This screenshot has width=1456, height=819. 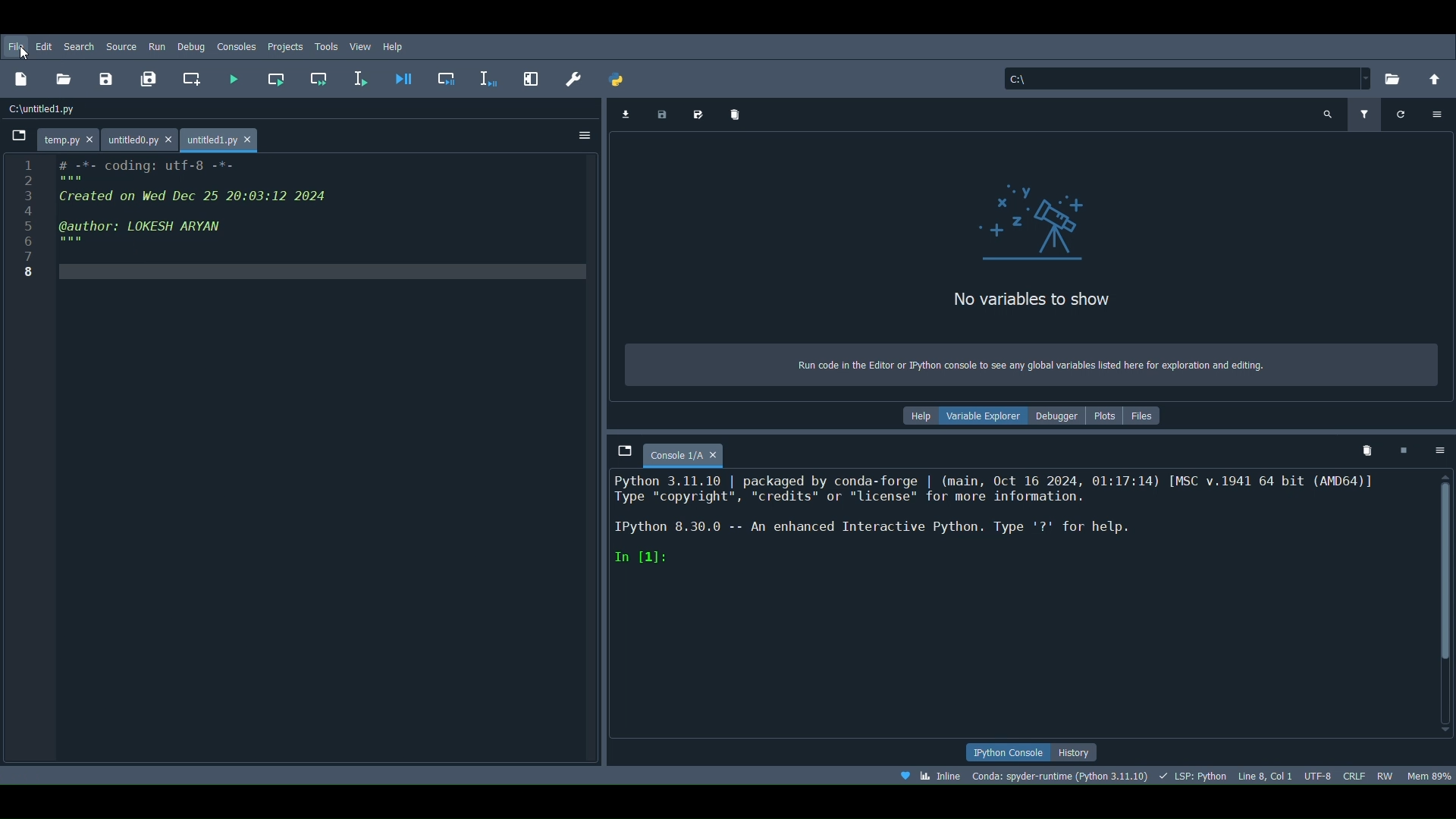 I want to click on Debug selection or current line, so click(x=488, y=76).